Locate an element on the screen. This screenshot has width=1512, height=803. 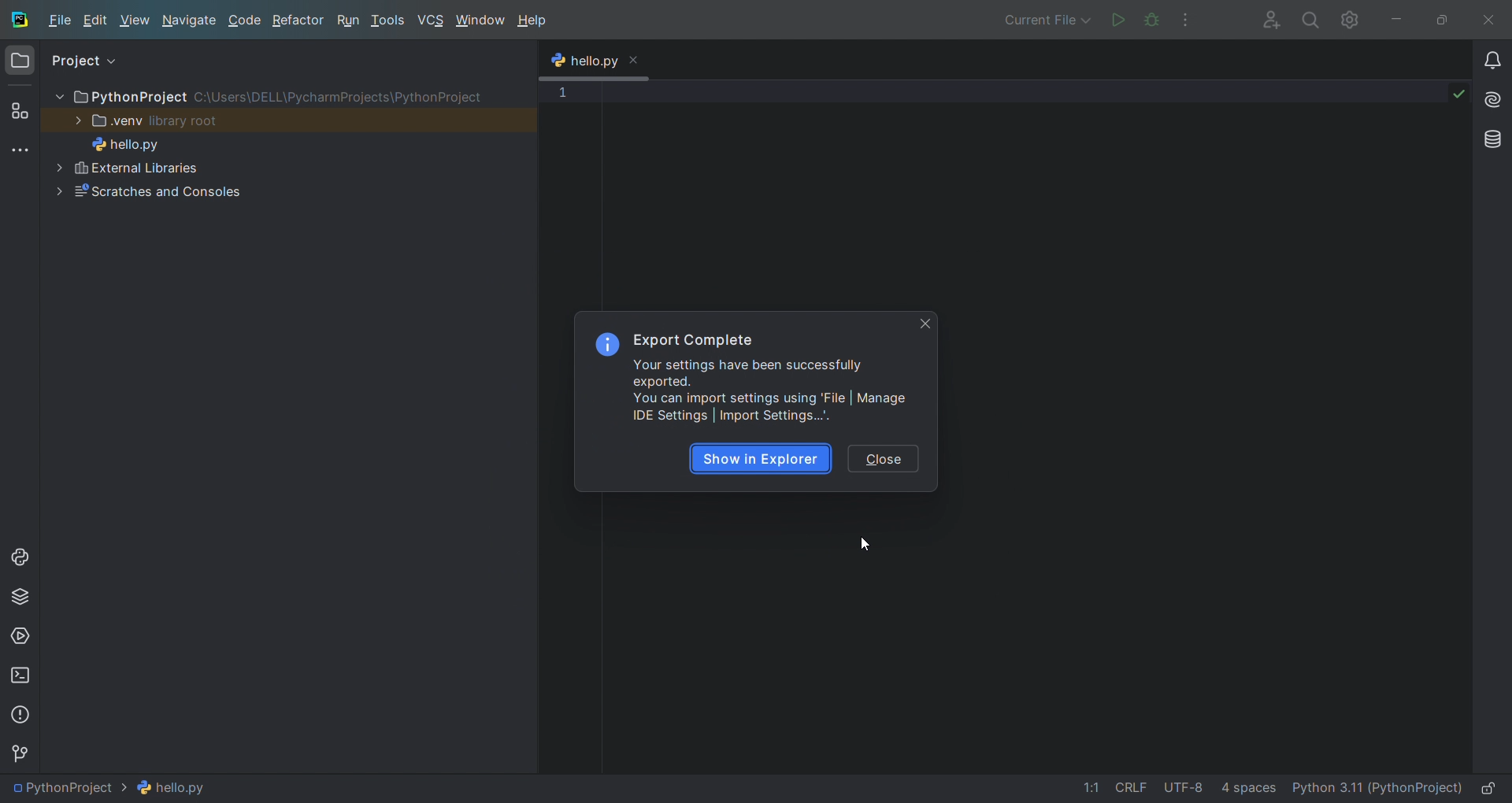
run is located at coordinates (349, 20).